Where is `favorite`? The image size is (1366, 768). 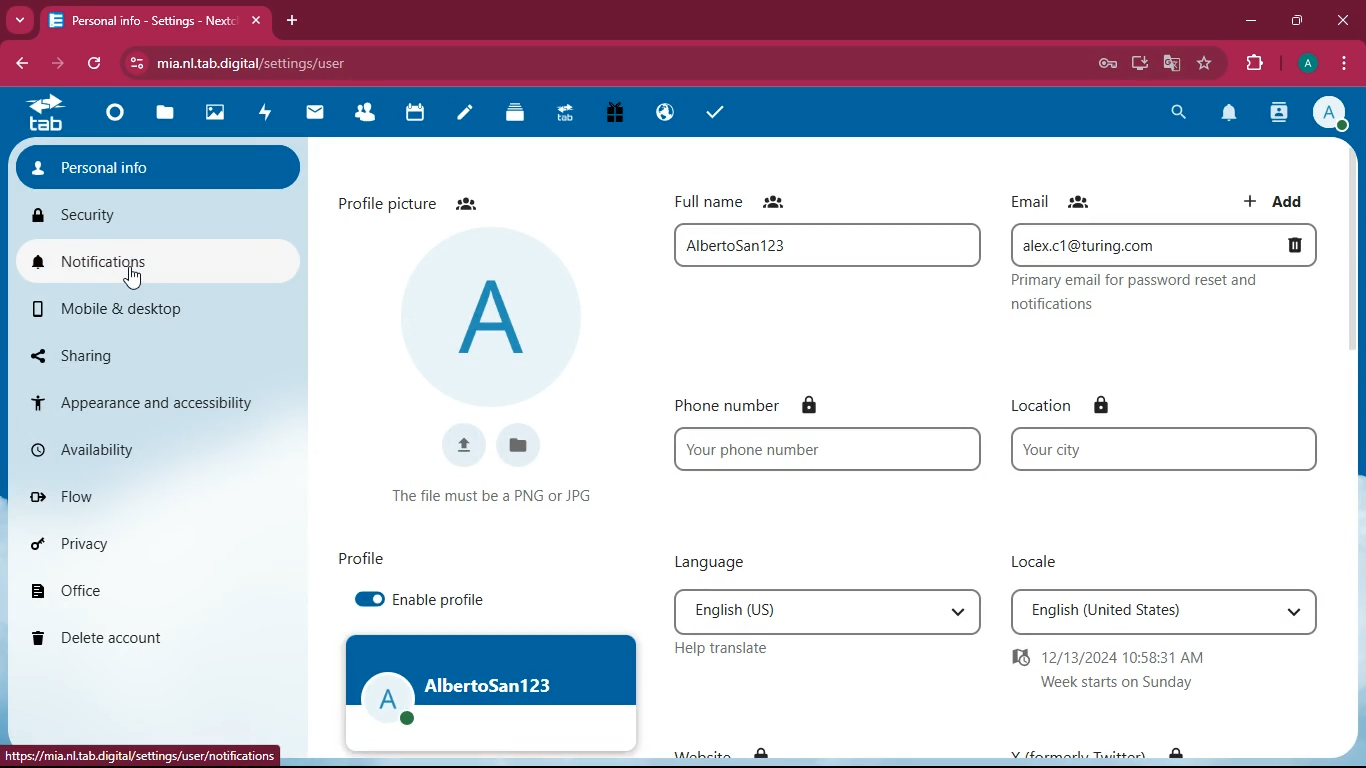 favorite is located at coordinates (1204, 64).